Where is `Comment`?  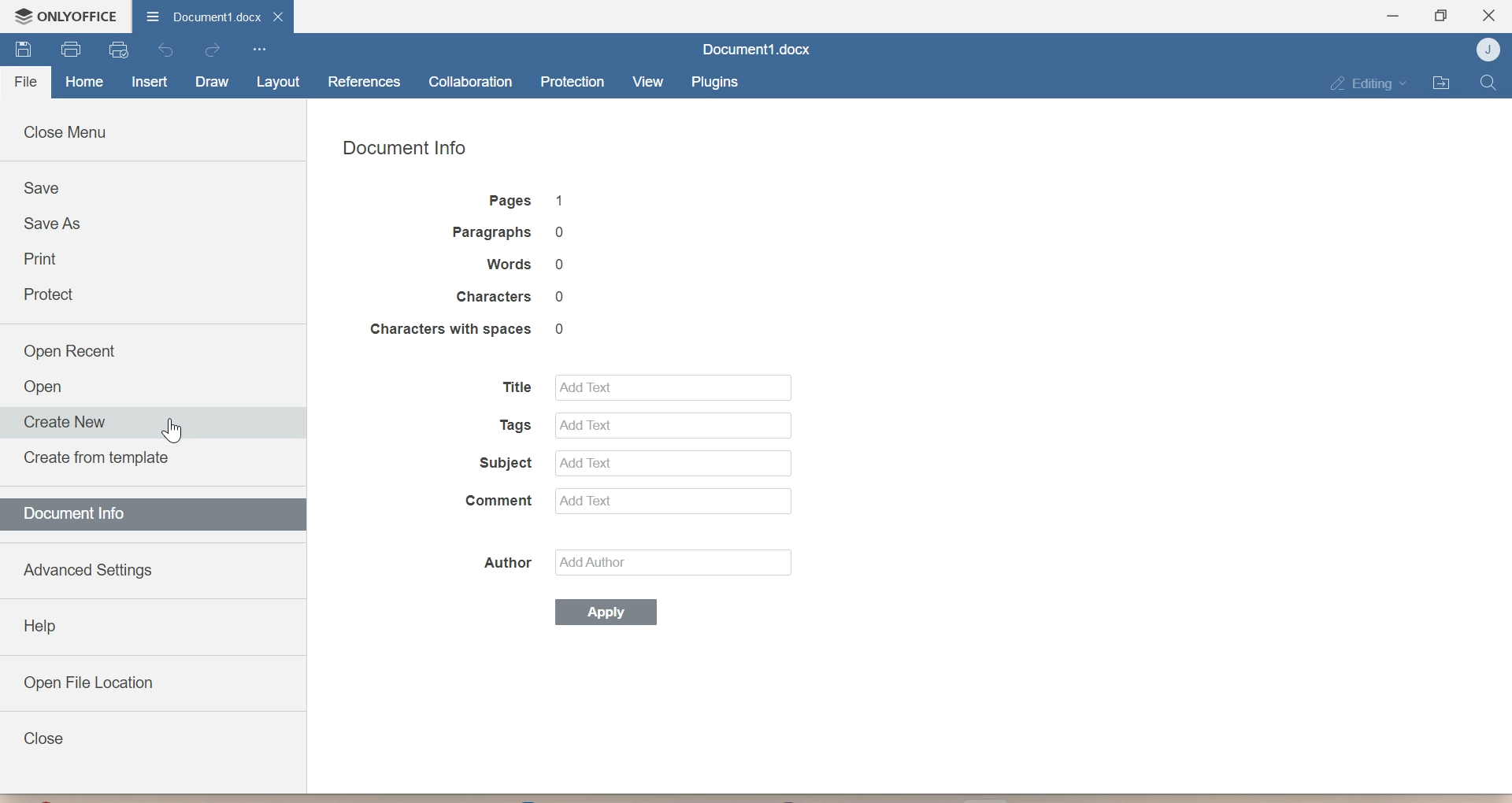 Comment is located at coordinates (501, 501).